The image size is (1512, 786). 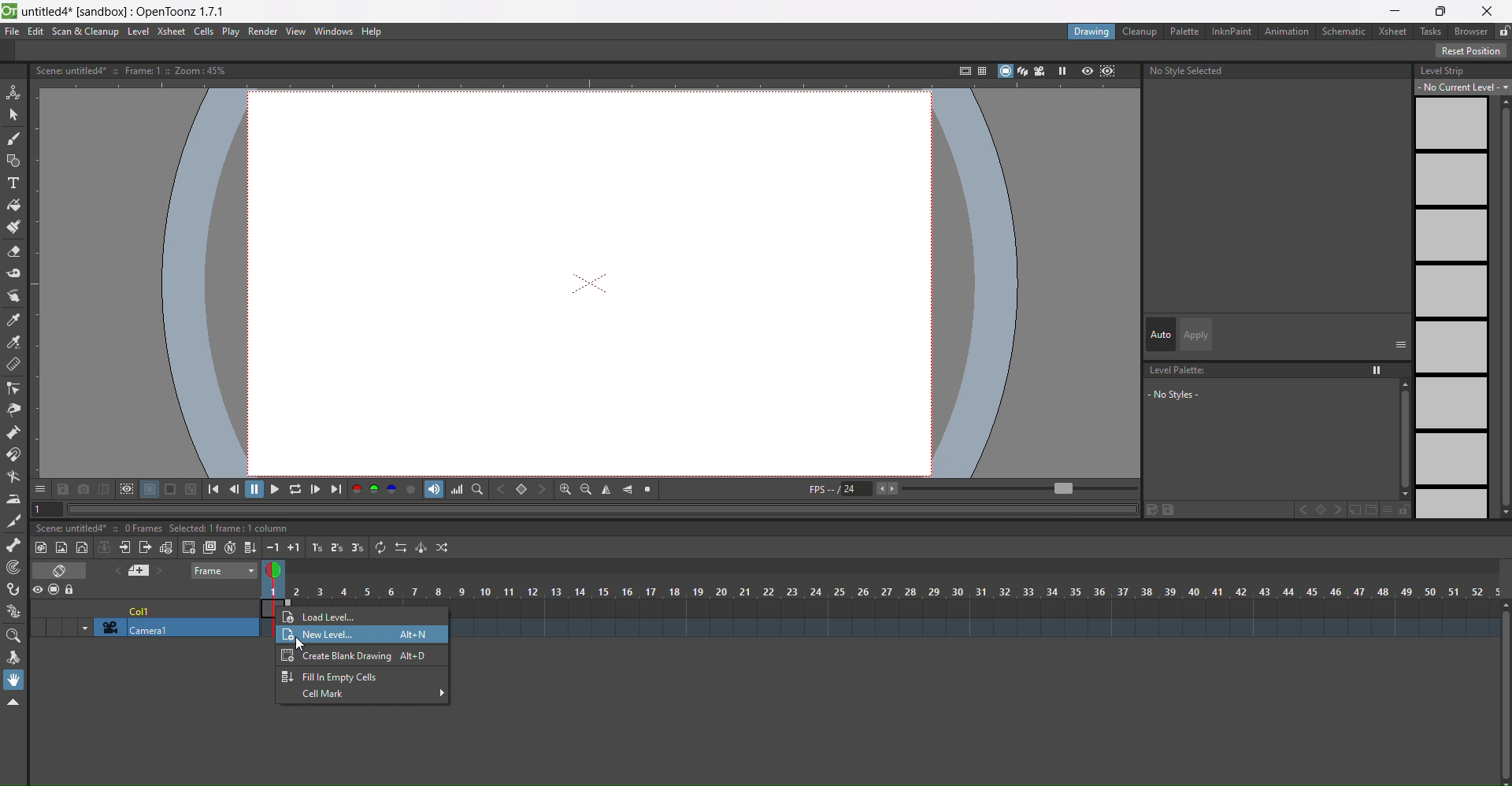 What do you see at coordinates (172, 489) in the screenshot?
I see `tool` at bounding box center [172, 489].